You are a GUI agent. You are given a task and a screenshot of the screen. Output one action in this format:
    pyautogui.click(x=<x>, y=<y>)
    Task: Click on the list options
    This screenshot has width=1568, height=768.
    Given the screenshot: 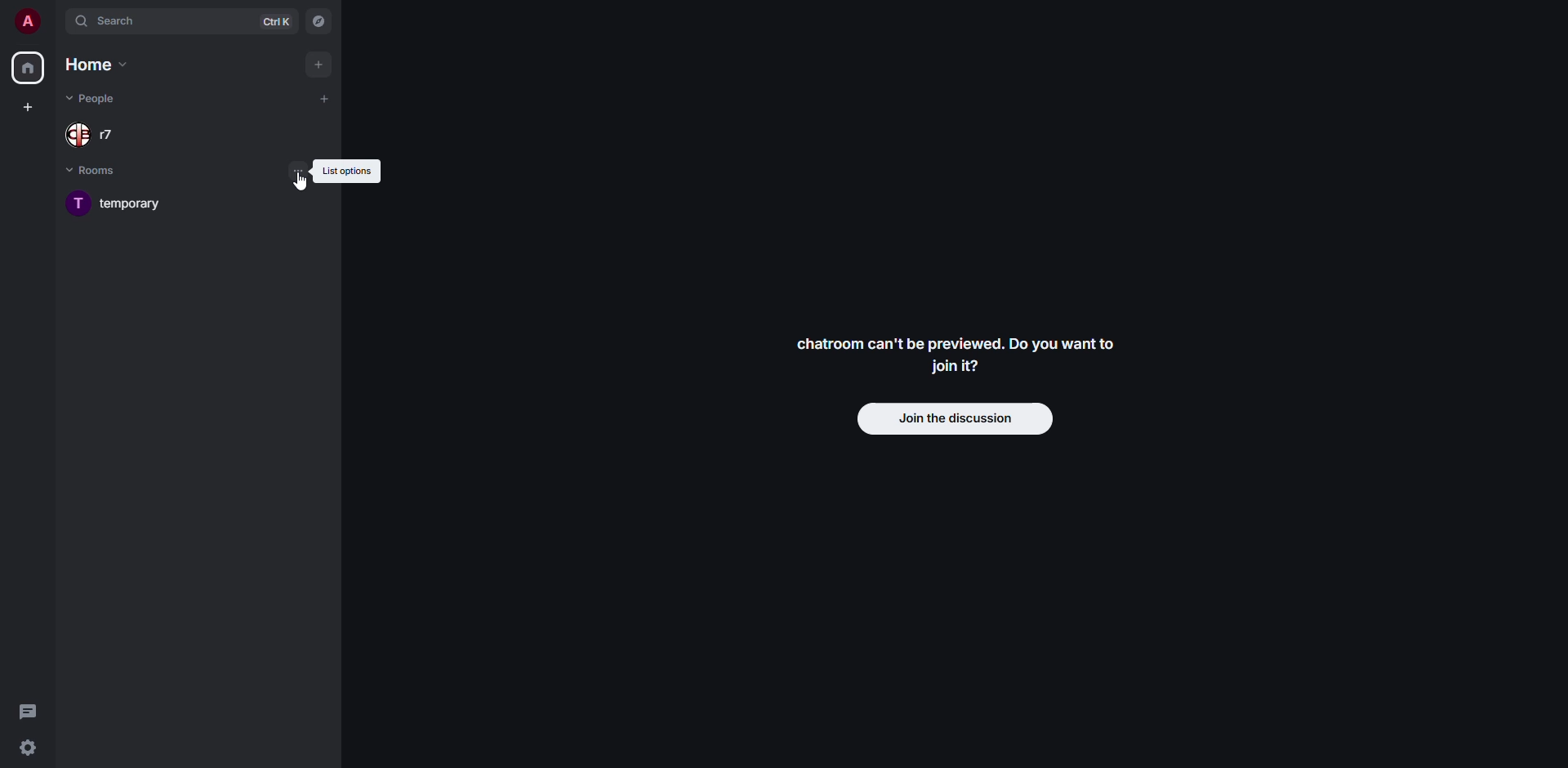 What is the action you would take?
    pyautogui.click(x=299, y=169)
    